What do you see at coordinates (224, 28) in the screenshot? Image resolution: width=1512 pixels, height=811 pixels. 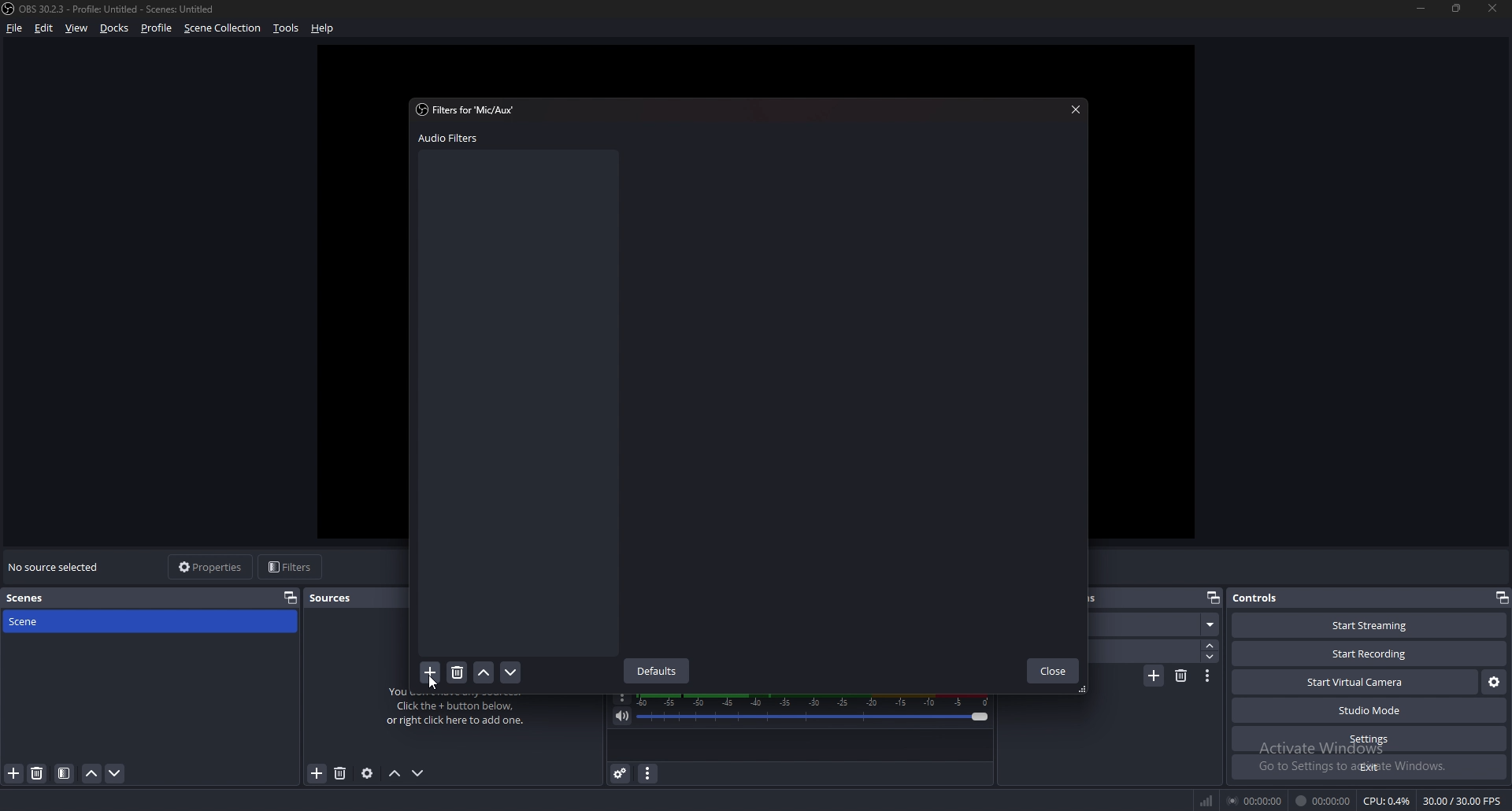 I see `scene collection` at bounding box center [224, 28].